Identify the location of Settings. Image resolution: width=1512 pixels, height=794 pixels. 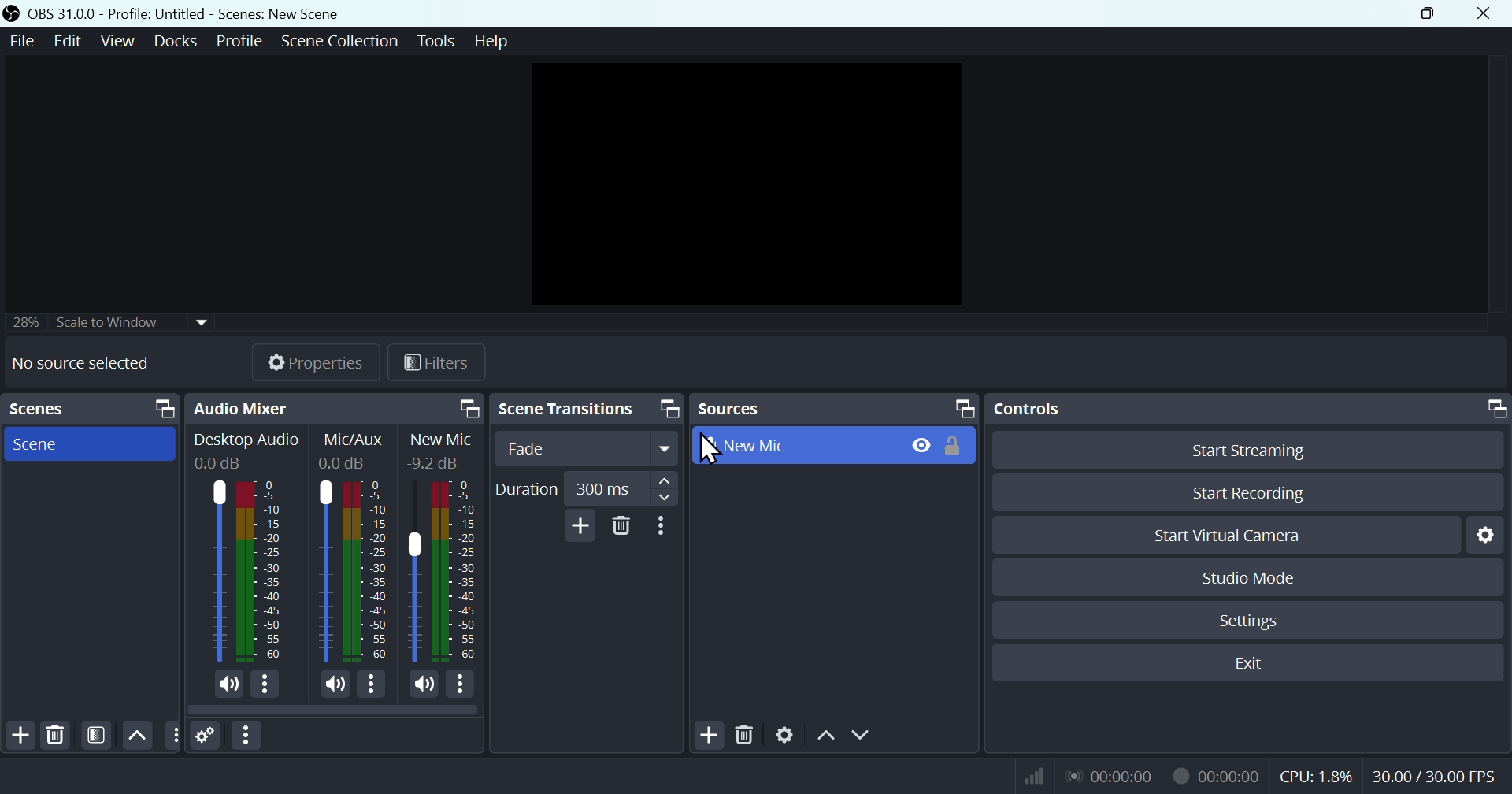
(210, 734).